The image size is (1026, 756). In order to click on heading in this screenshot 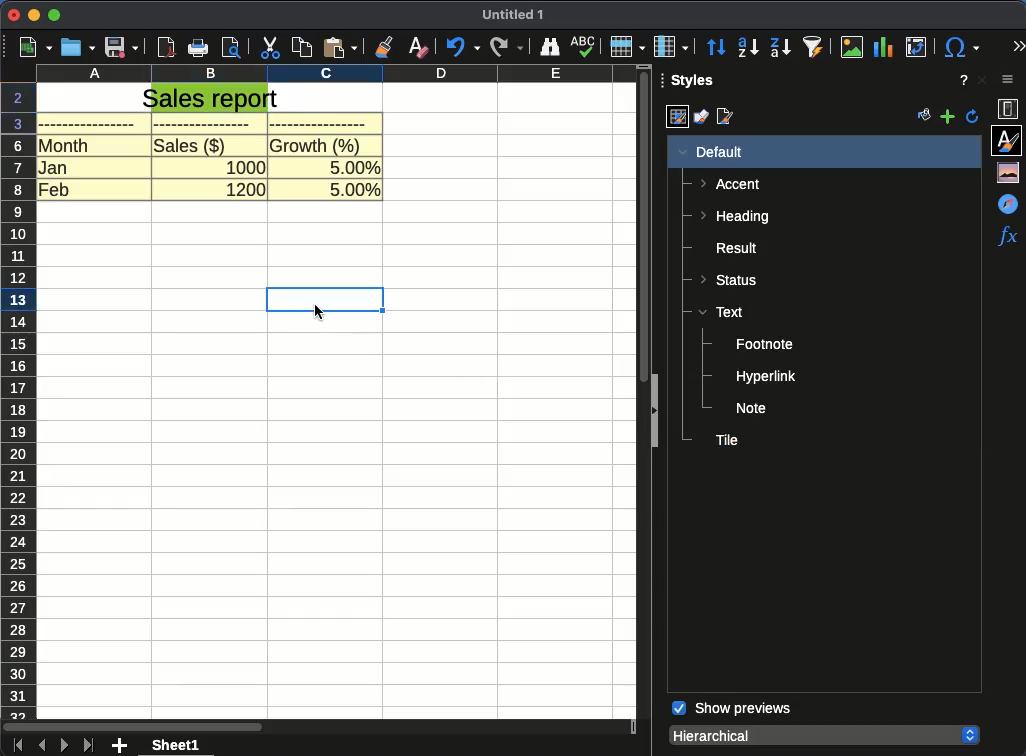, I will do `click(734, 218)`.